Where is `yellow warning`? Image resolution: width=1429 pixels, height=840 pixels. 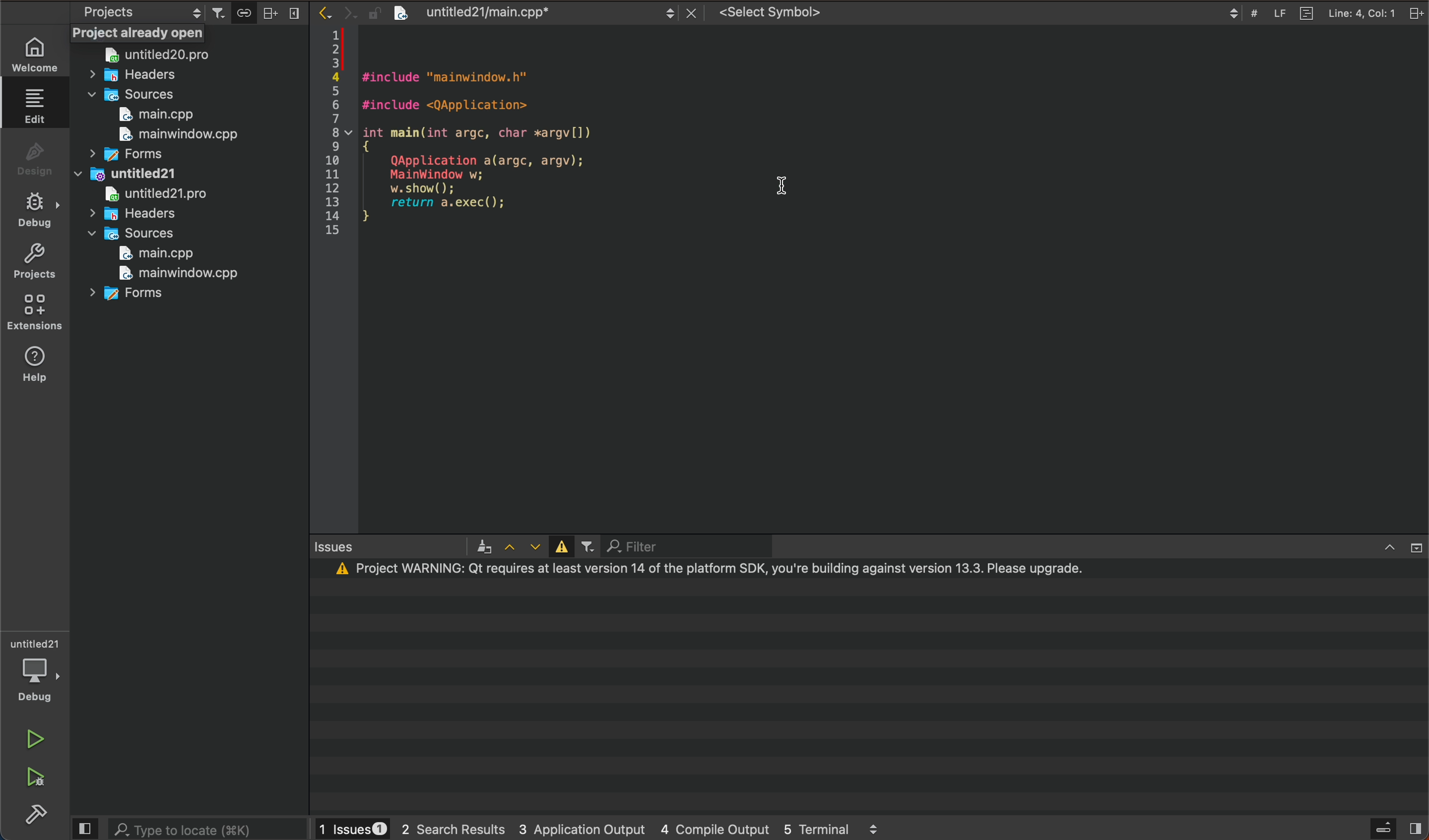 yellow warning is located at coordinates (564, 546).